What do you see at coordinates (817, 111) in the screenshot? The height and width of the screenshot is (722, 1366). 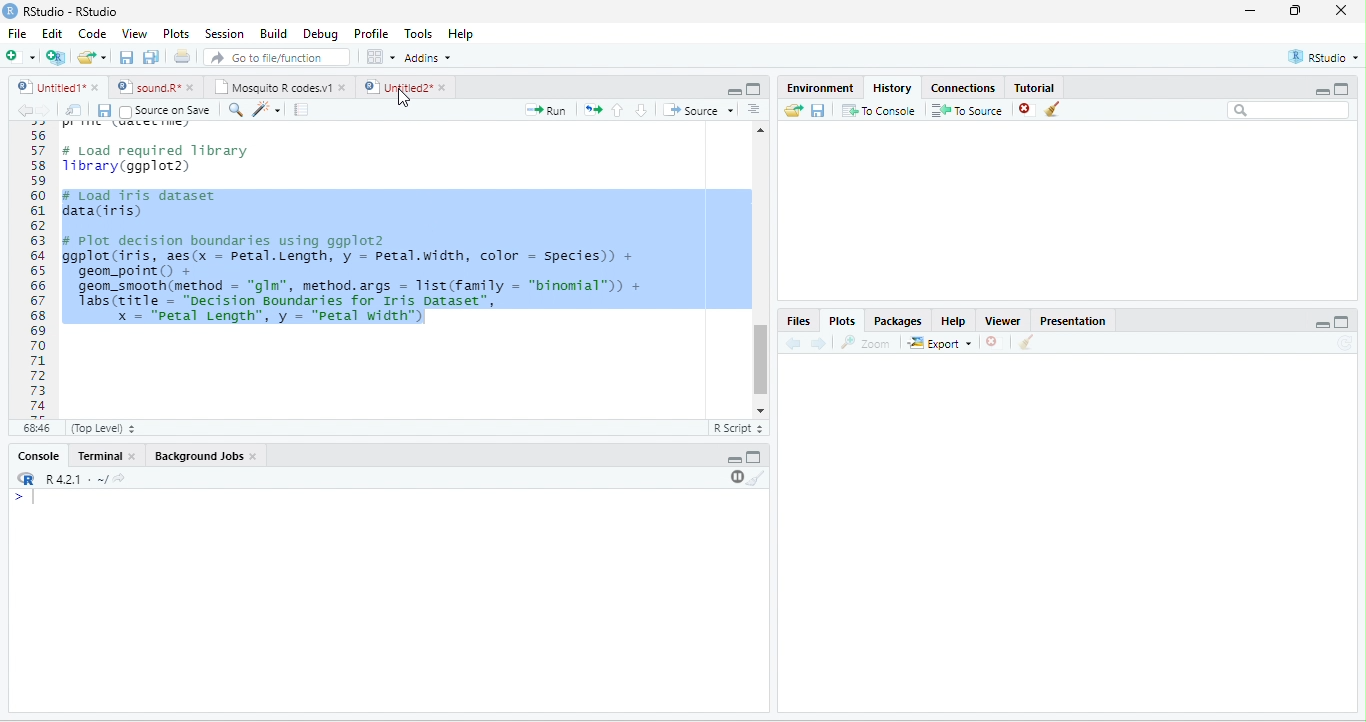 I see `save` at bounding box center [817, 111].